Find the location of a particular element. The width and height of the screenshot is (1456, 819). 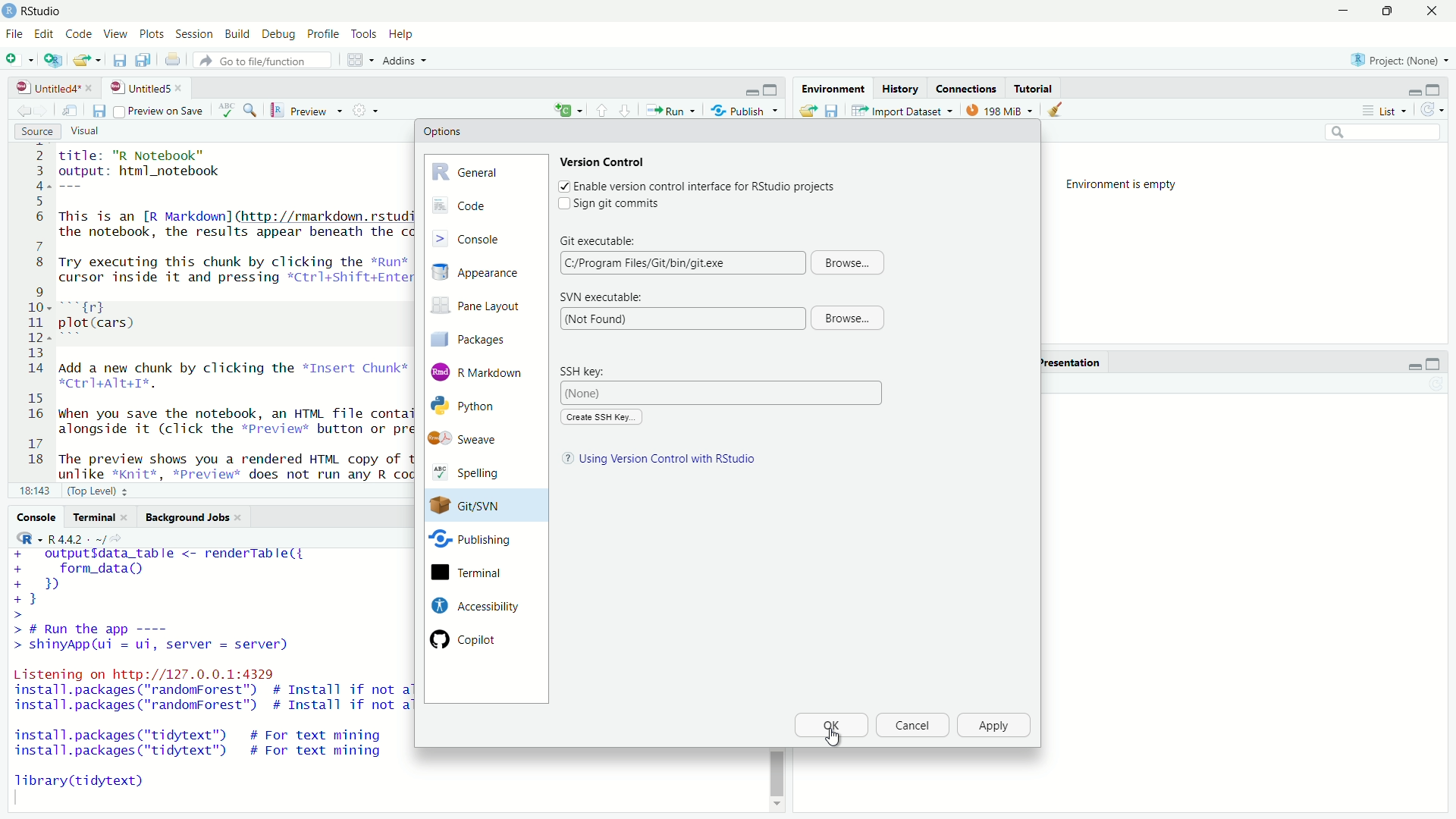

close is located at coordinates (182, 88).